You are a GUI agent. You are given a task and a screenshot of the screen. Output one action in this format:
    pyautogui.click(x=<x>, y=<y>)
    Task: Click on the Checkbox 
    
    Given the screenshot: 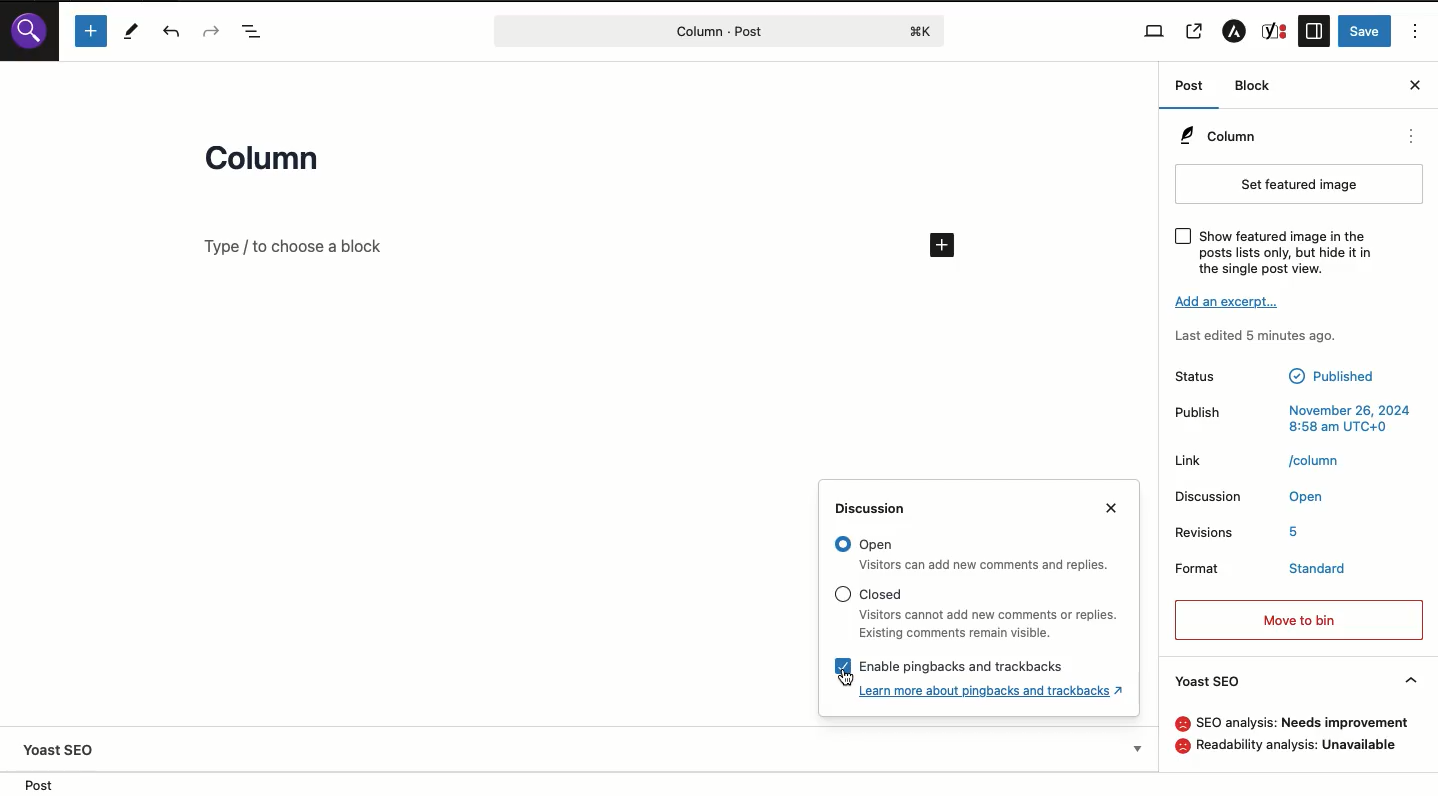 What is the action you would take?
    pyautogui.click(x=844, y=666)
    